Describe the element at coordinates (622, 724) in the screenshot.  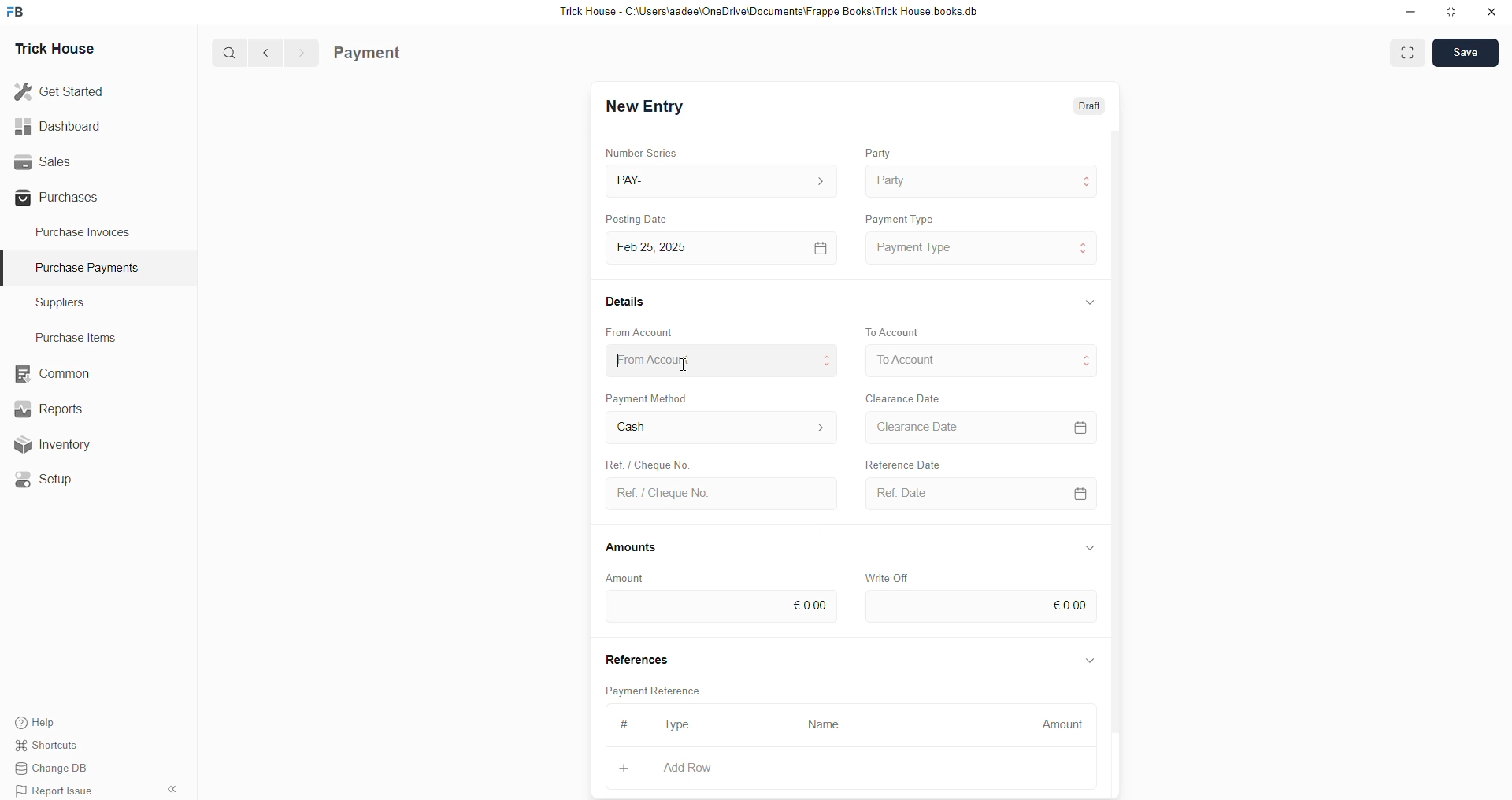
I see `#` at that location.